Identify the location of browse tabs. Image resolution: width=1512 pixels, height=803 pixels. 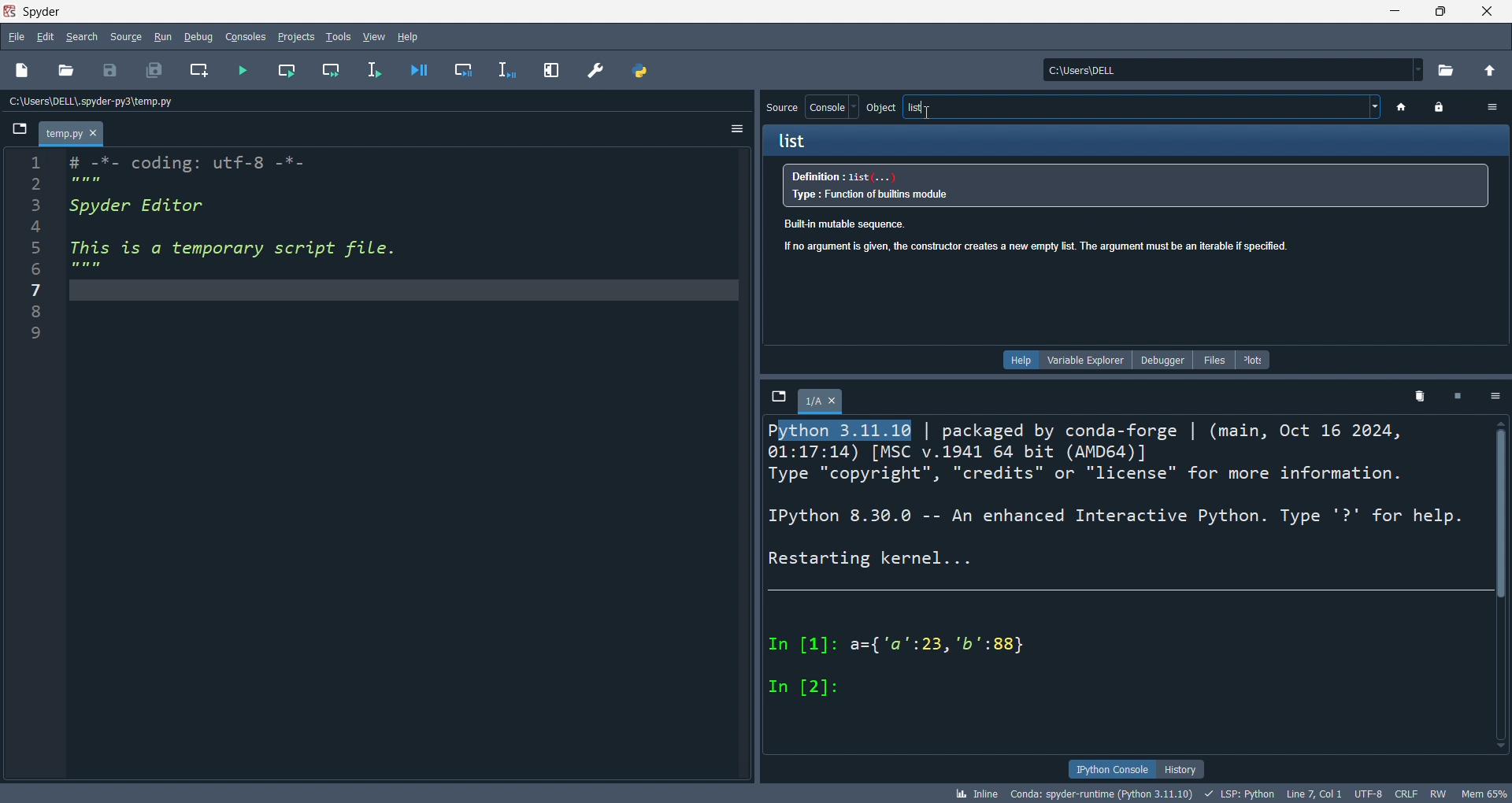
(776, 398).